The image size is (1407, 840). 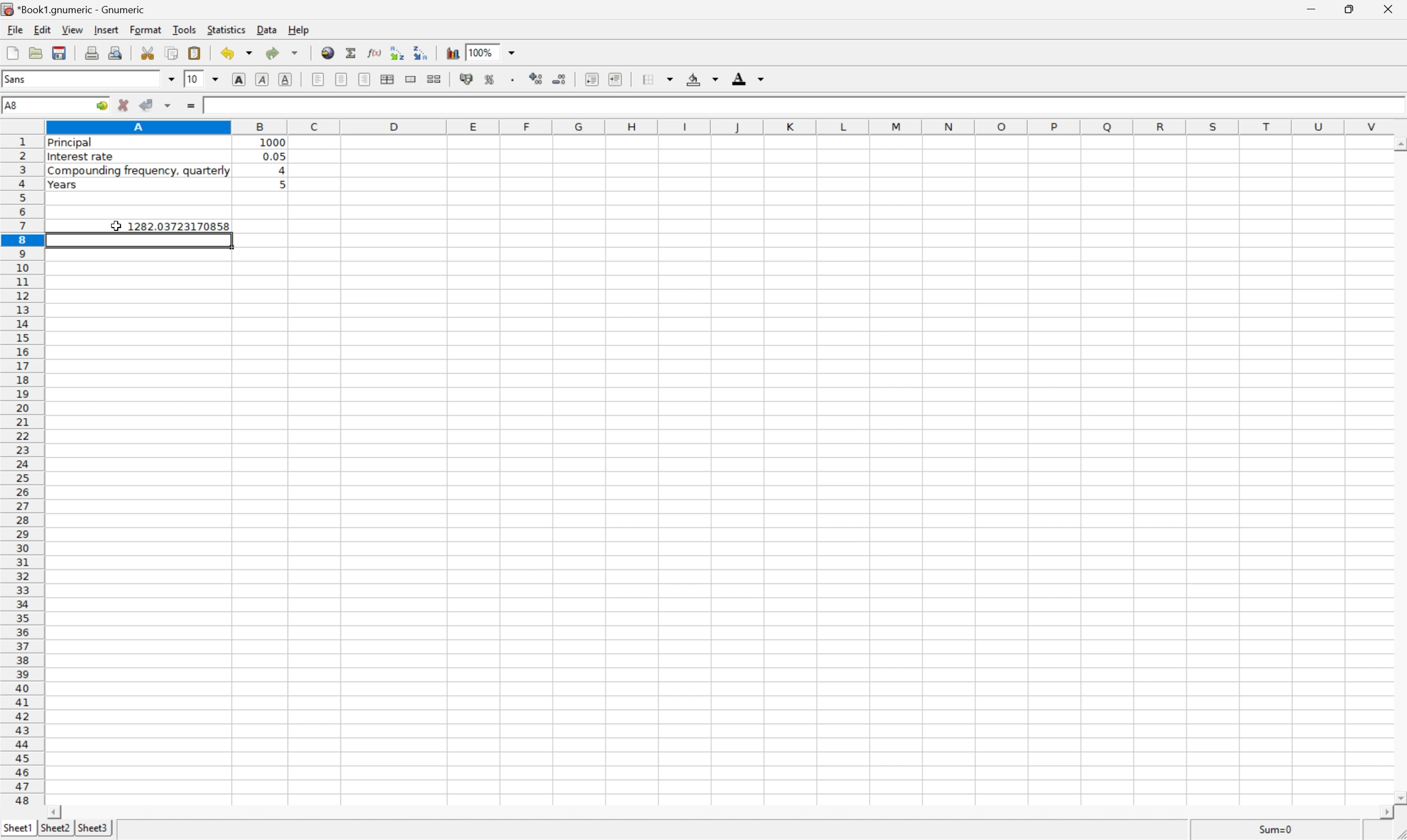 I want to click on go to, so click(x=103, y=104).